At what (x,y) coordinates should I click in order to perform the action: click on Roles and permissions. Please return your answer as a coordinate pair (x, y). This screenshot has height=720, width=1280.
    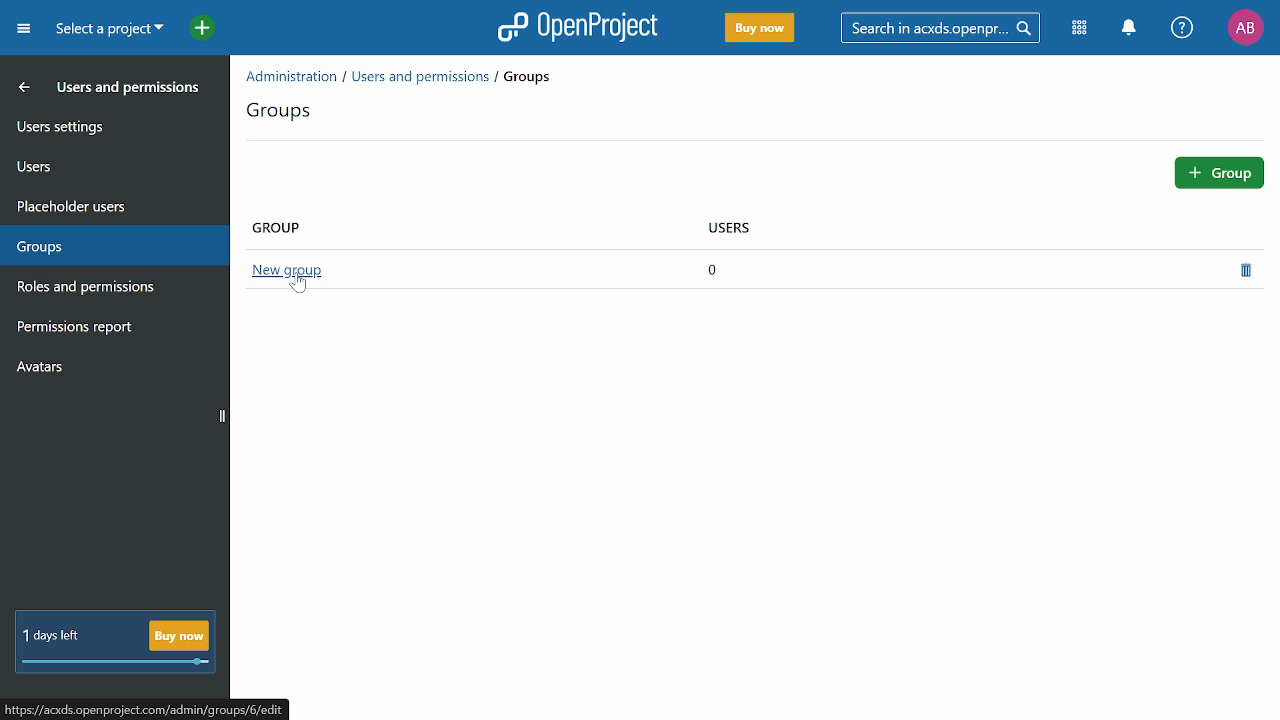
    Looking at the image, I should click on (103, 289).